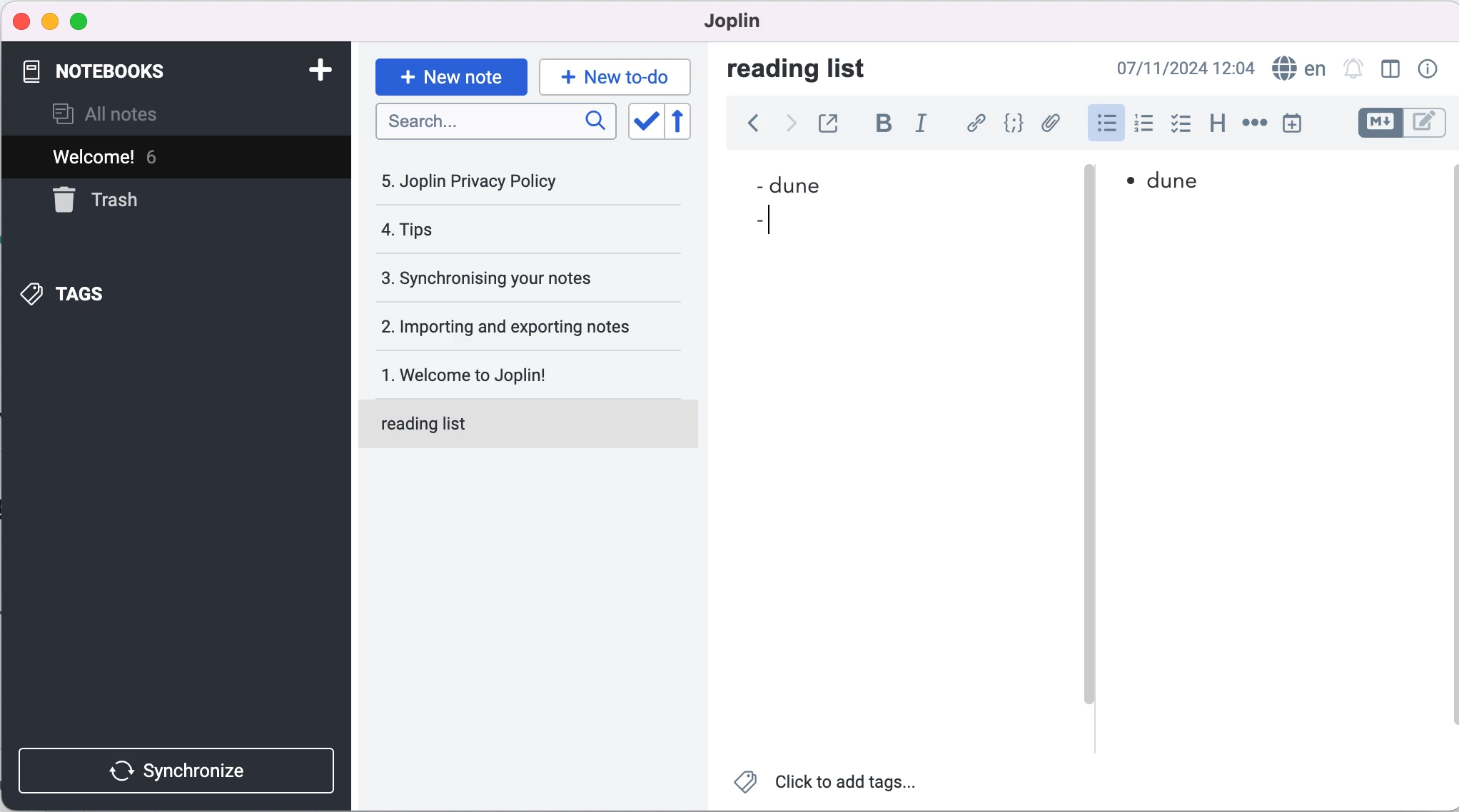  Describe the element at coordinates (50, 21) in the screenshot. I see `minimize` at that location.